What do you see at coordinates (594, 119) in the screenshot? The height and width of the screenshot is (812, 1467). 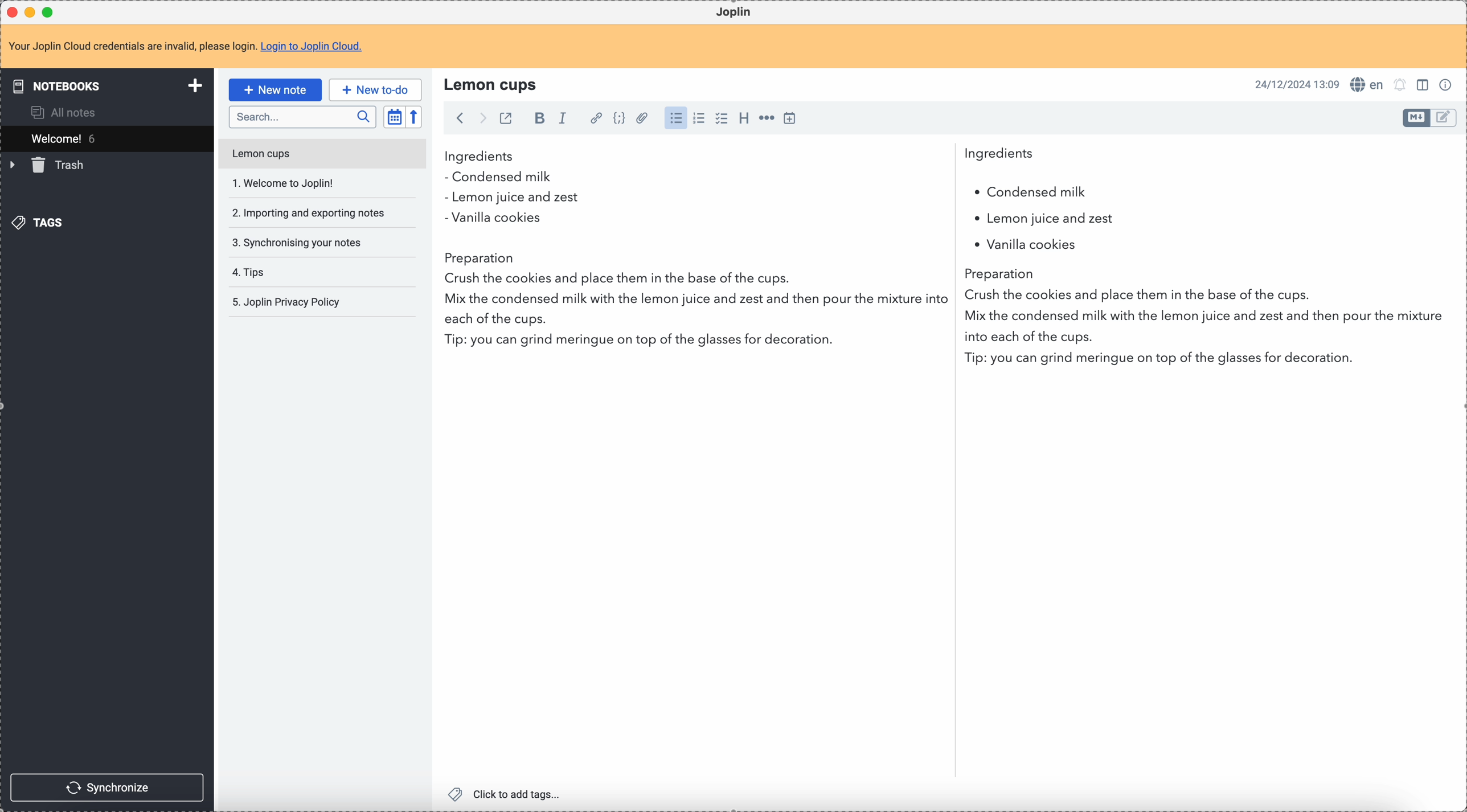 I see `hyperlink` at bounding box center [594, 119].